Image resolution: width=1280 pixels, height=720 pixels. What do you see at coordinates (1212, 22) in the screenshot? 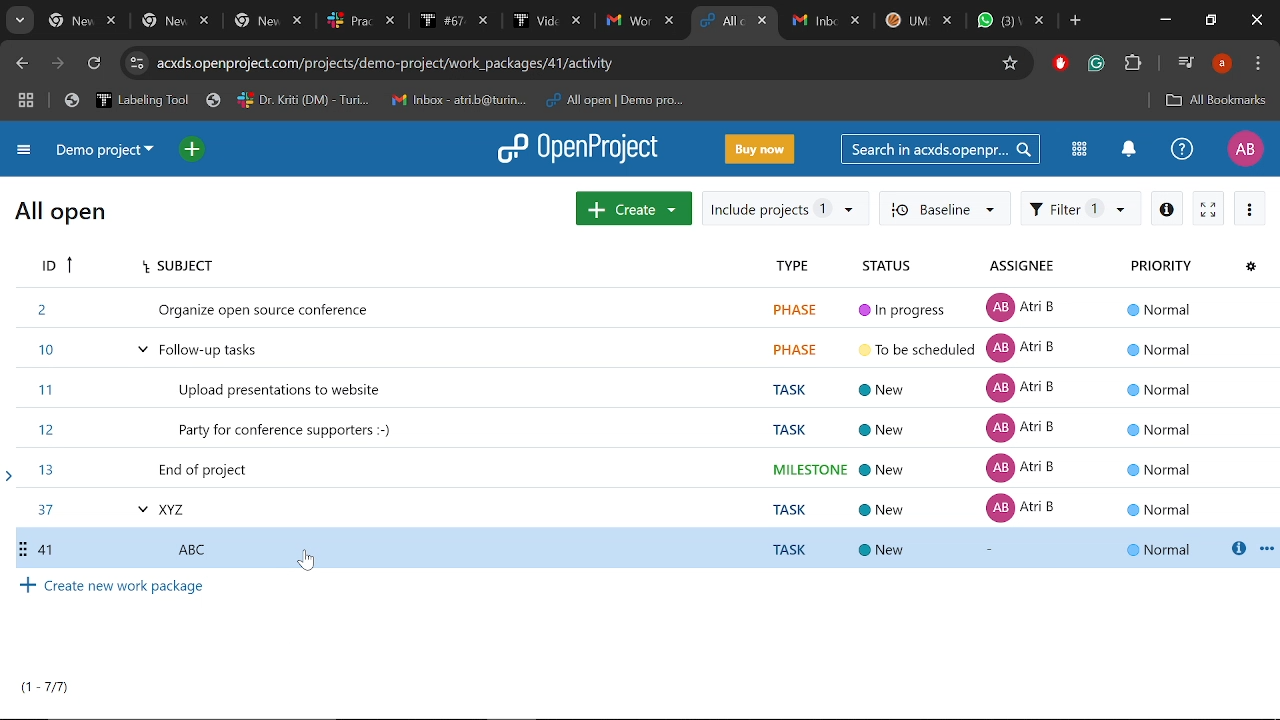
I see `Restore down` at bounding box center [1212, 22].